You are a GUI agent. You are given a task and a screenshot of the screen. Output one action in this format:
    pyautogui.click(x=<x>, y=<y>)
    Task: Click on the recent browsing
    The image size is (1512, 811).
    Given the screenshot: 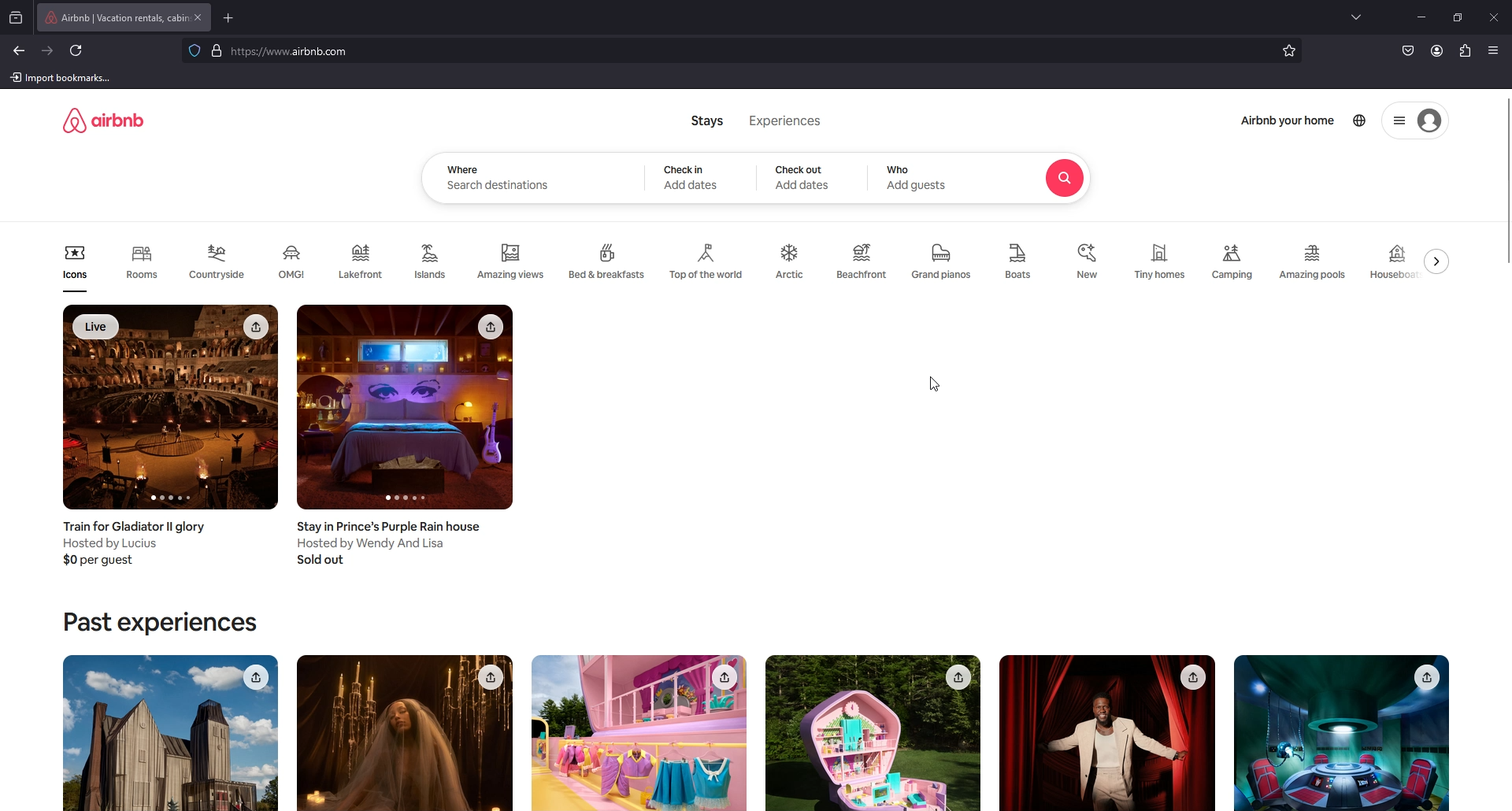 What is the action you would take?
    pyautogui.click(x=19, y=17)
    